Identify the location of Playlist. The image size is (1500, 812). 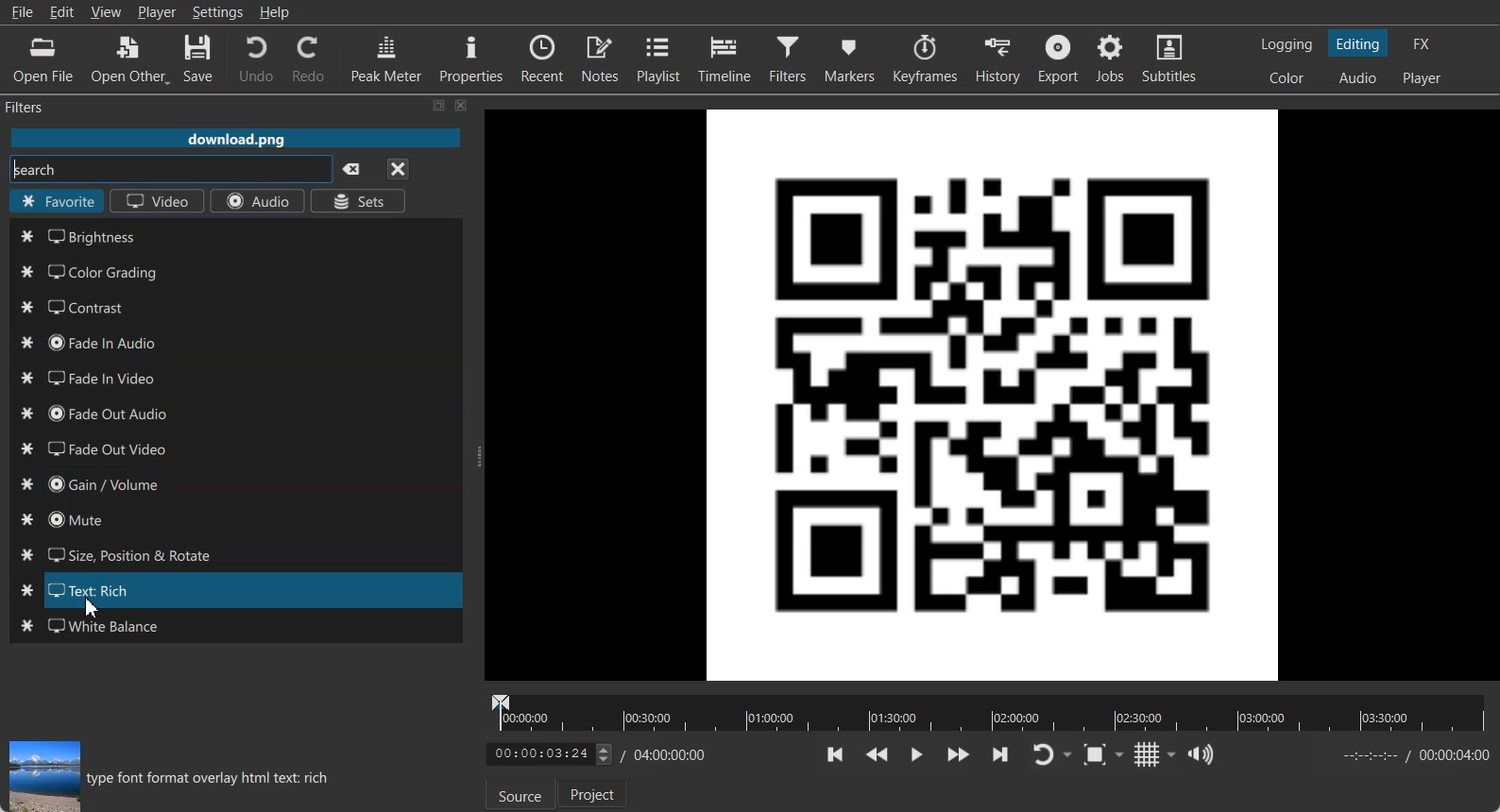
(661, 58).